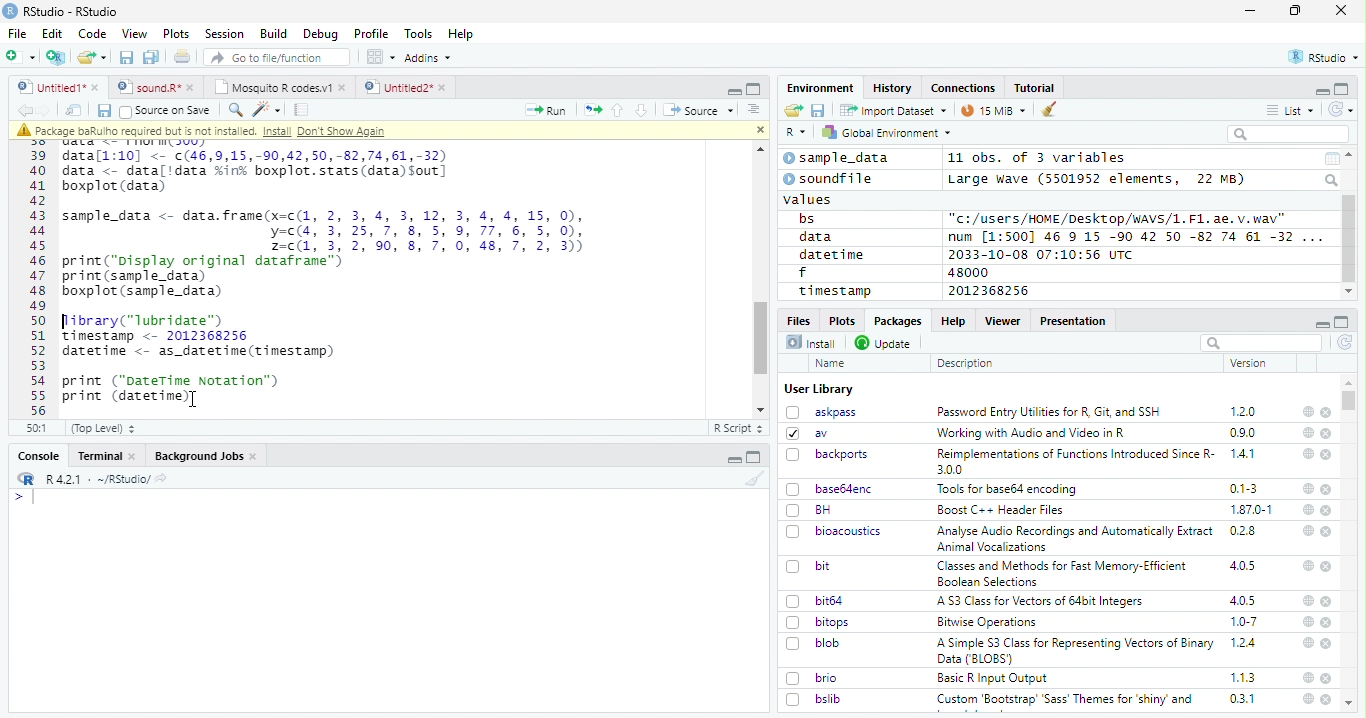  I want to click on scroll up, so click(757, 150).